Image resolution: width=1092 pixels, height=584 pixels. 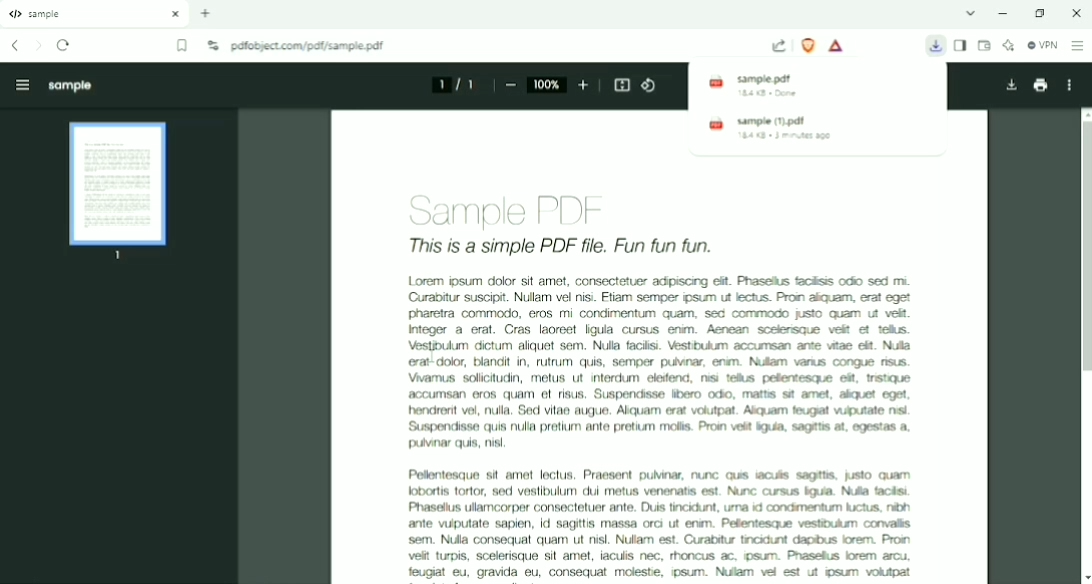 What do you see at coordinates (64, 45) in the screenshot?
I see `Reload this page` at bounding box center [64, 45].